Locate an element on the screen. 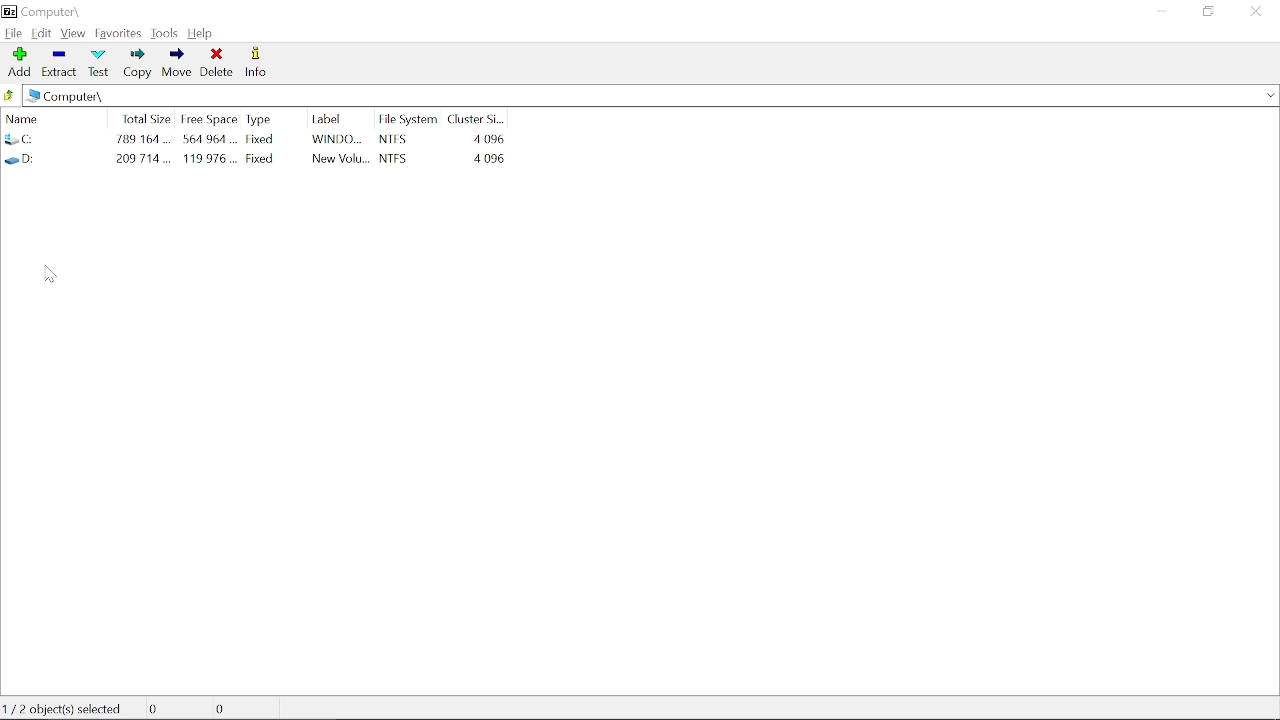 The image size is (1280, 720). Cursor is located at coordinates (49, 273).